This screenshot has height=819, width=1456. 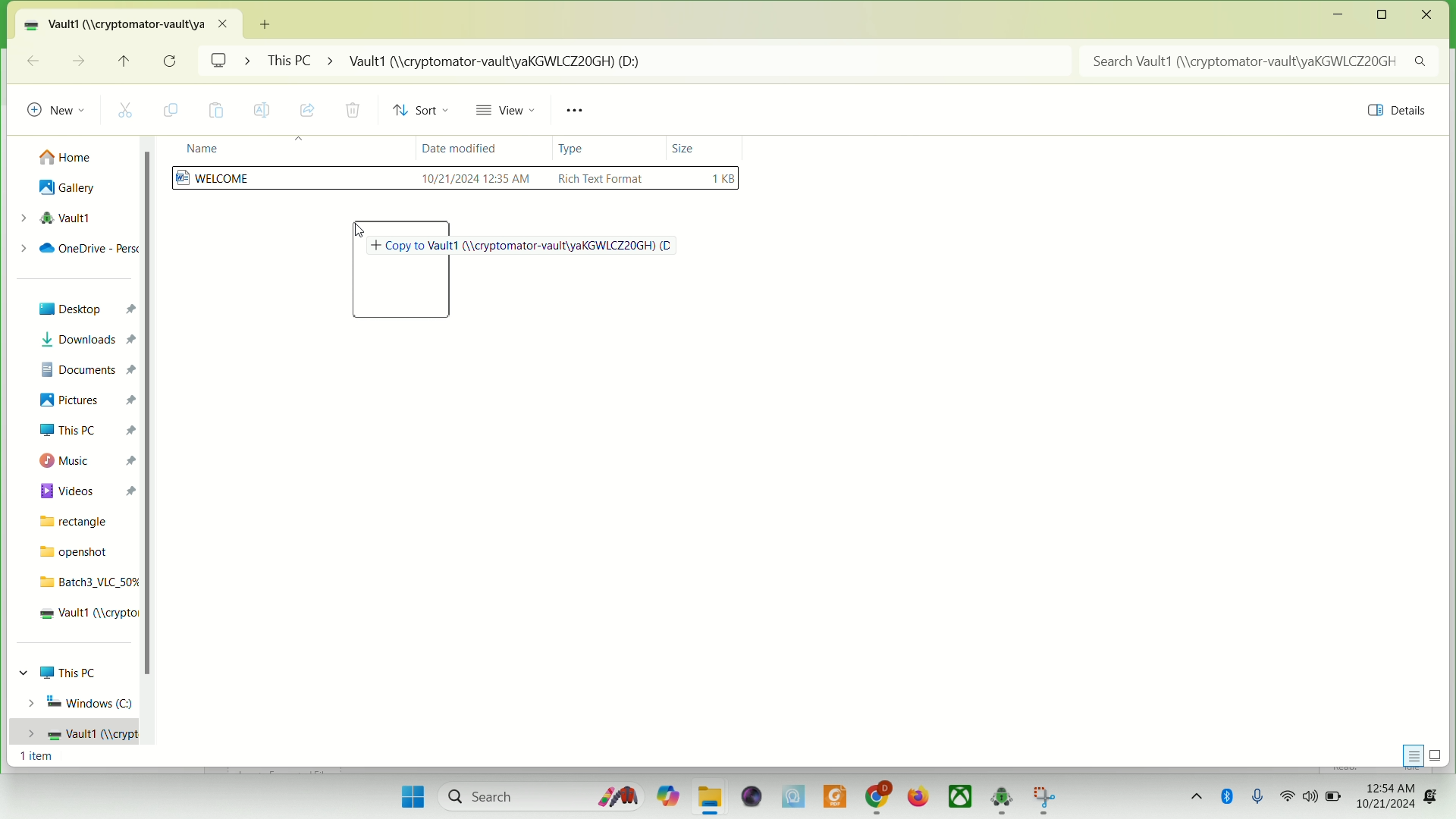 I want to click on MSI center Pro, so click(x=792, y=796).